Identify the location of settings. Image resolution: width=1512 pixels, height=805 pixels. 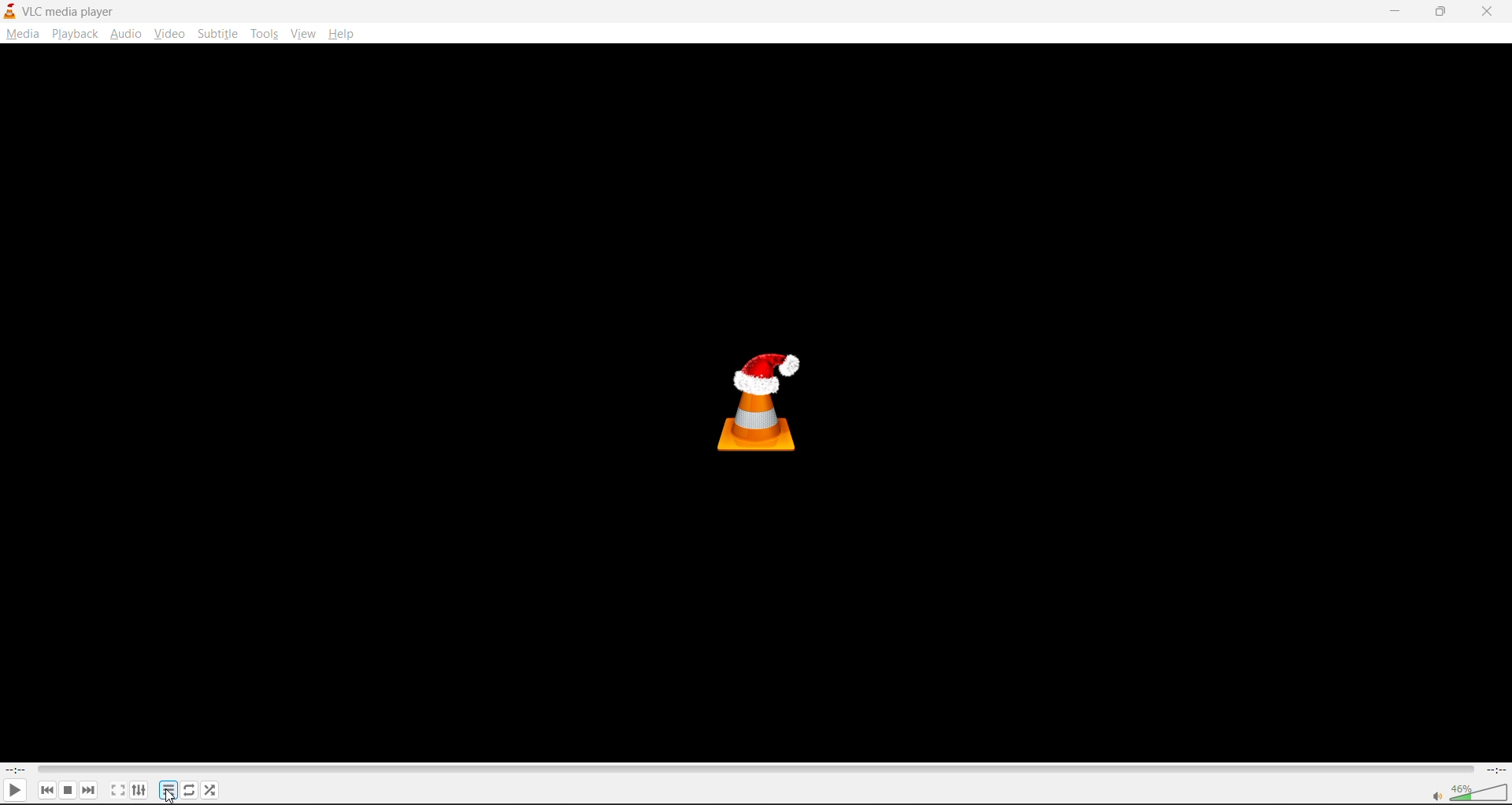
(137, 790).